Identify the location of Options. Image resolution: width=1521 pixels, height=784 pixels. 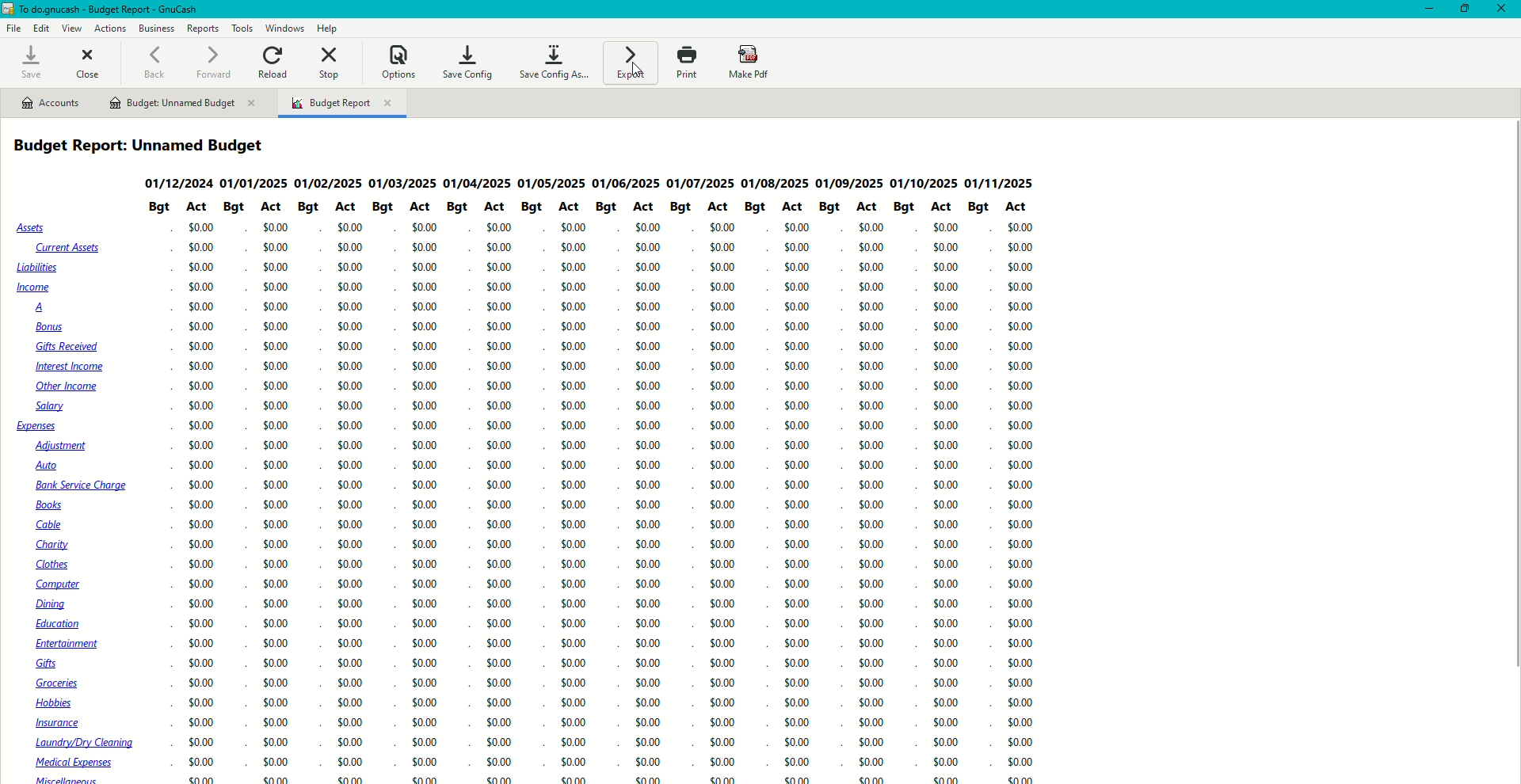
(398, 61).